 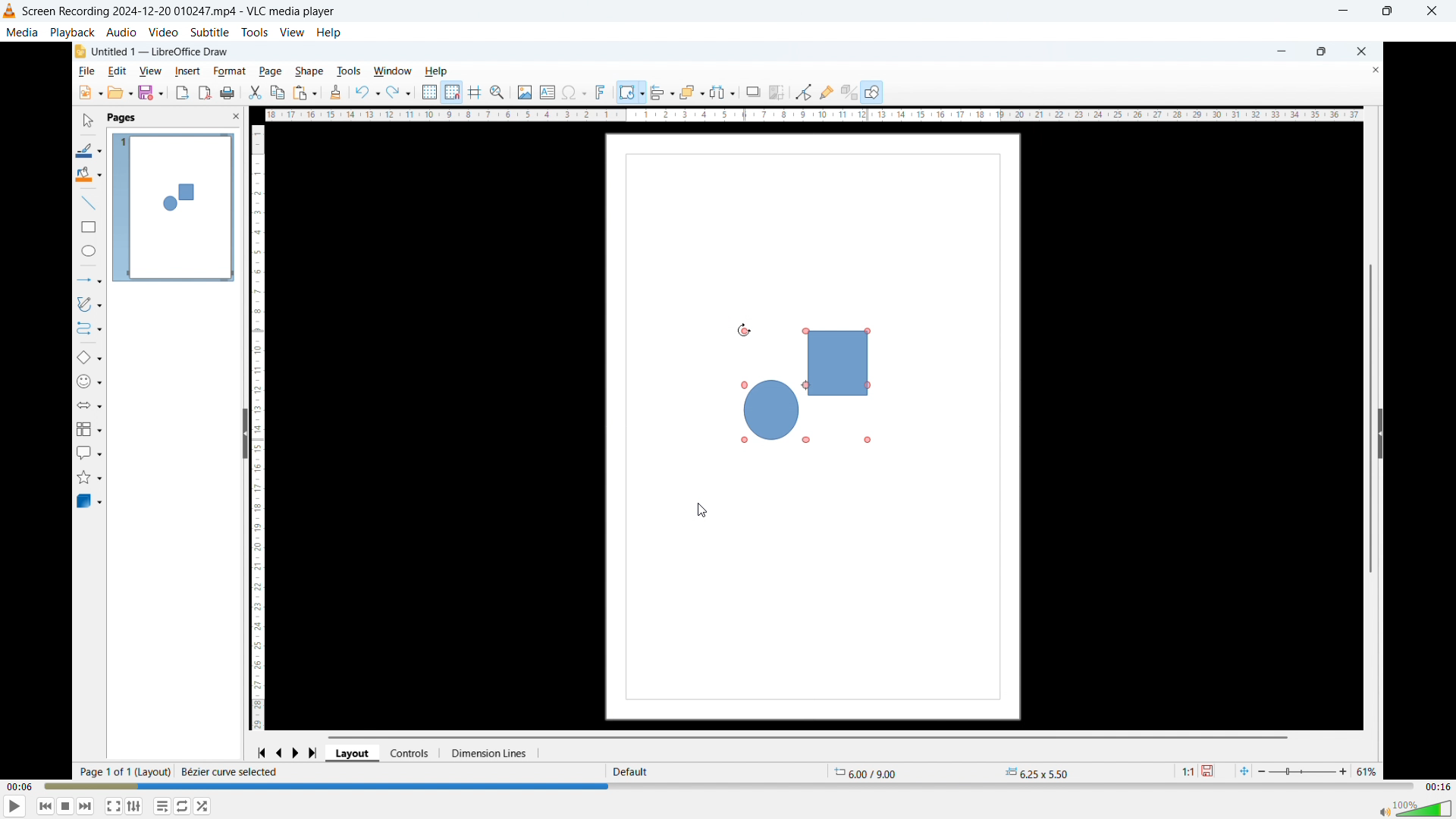 I want to click on cursor , so click(x=700, y=510).